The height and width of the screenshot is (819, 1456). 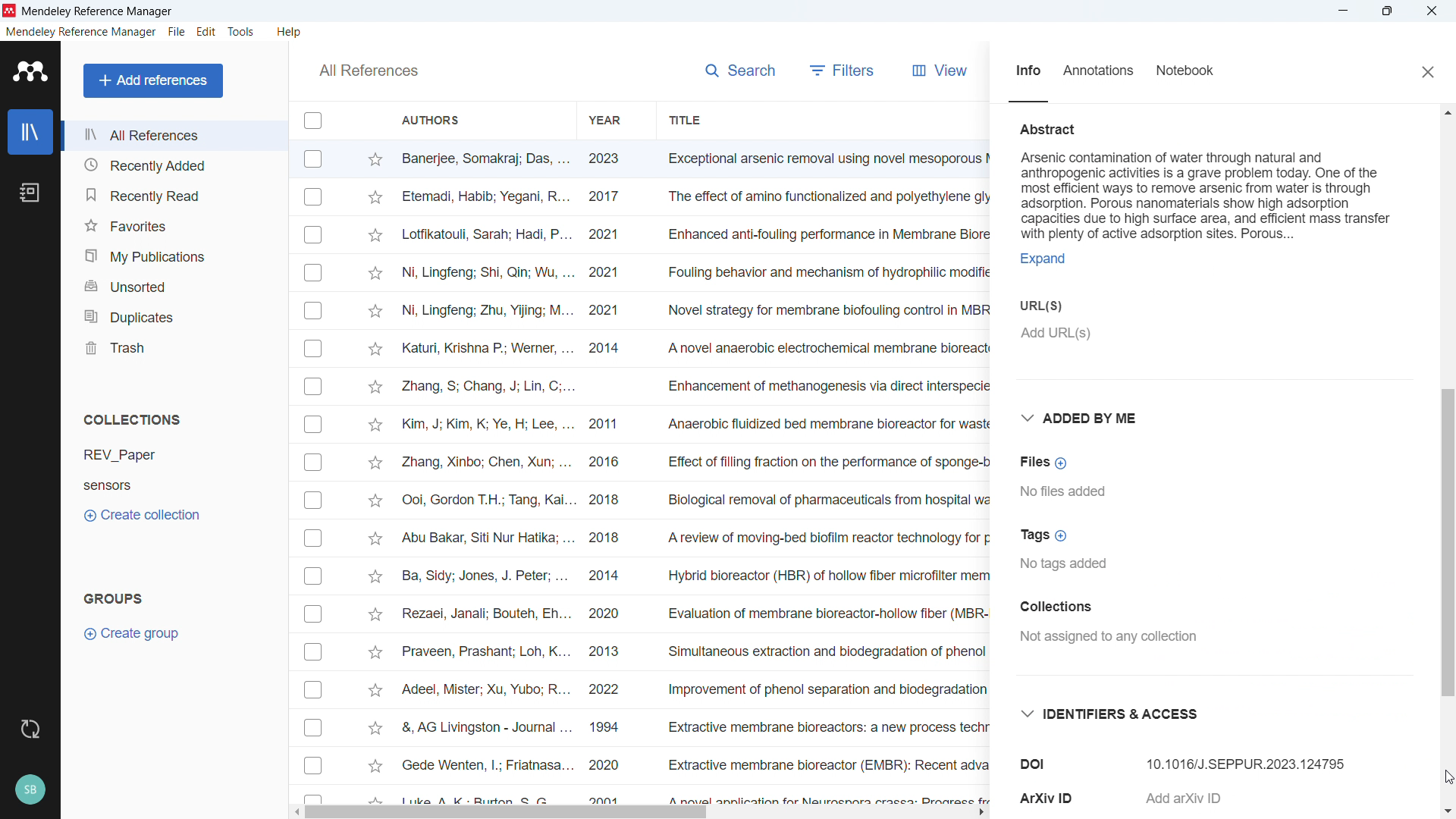 What do you see at coordinates (825, 729) in the screenshot?
I see `extractive membrane bioreactors a new process technology for detoxifying` at bounding box center [825, 729].